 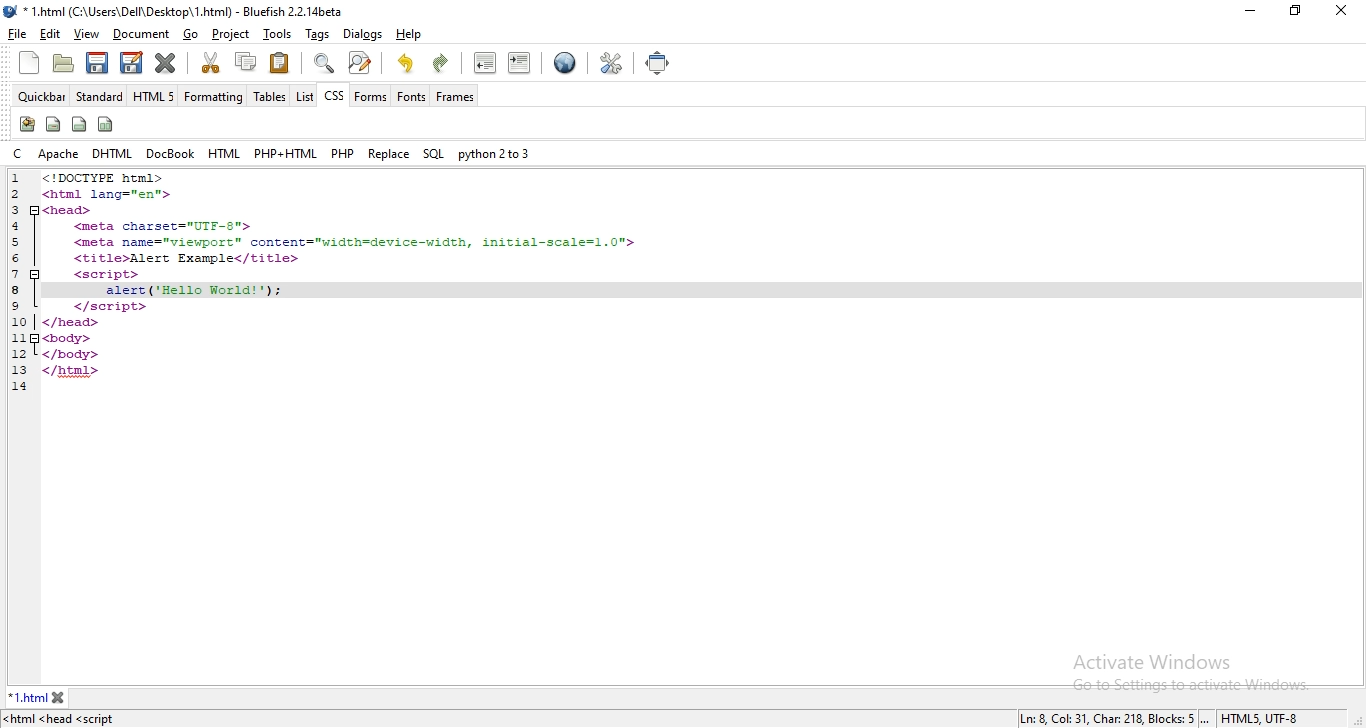 What do you see at coordinates (211, 63) in the screenshot?
I see `cut` at bounding box center [211, 63].